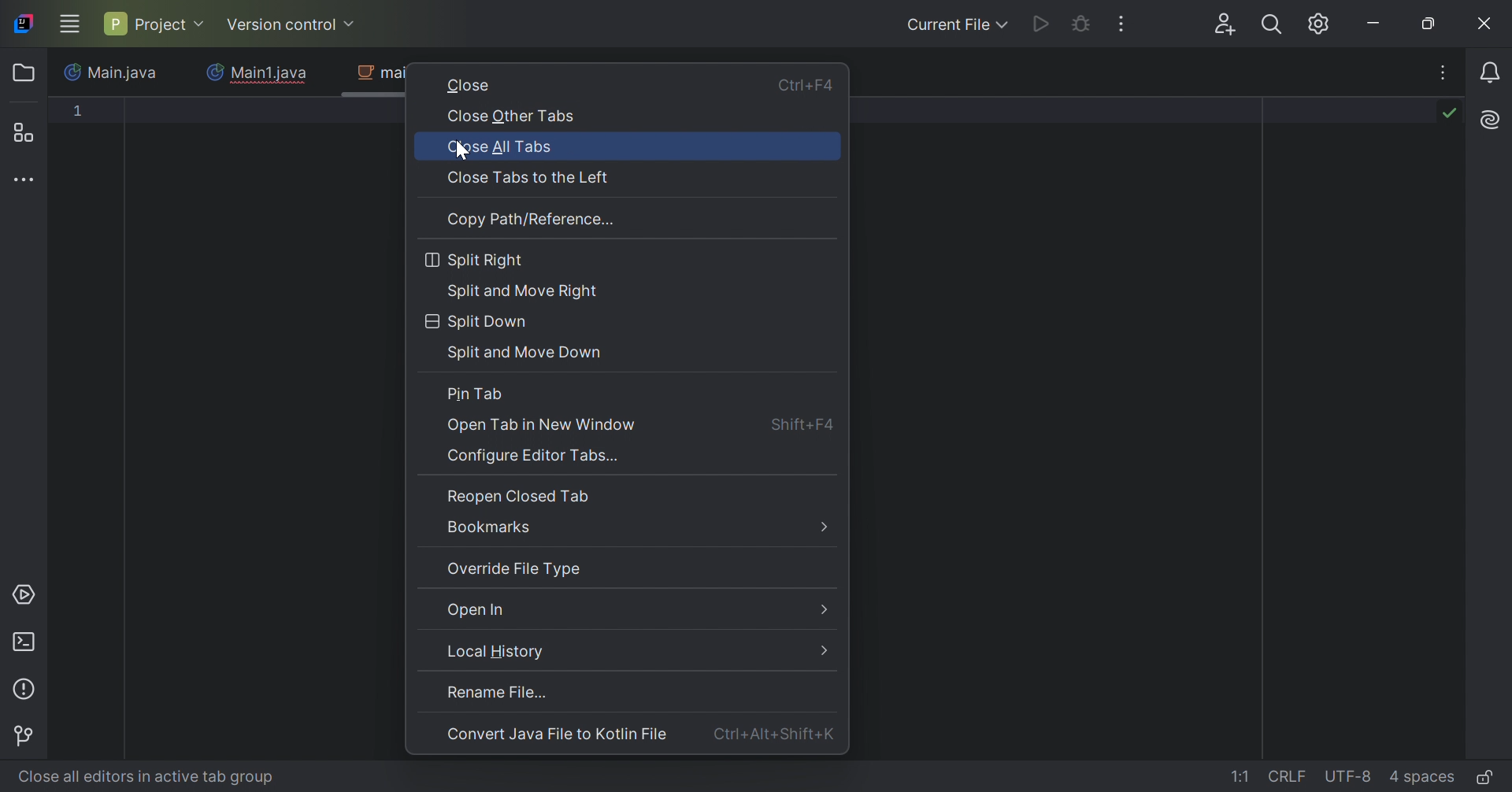  Describe the element at coordinates (806, 85) in the screenshot. I see `Ctrl+F4` at that location.